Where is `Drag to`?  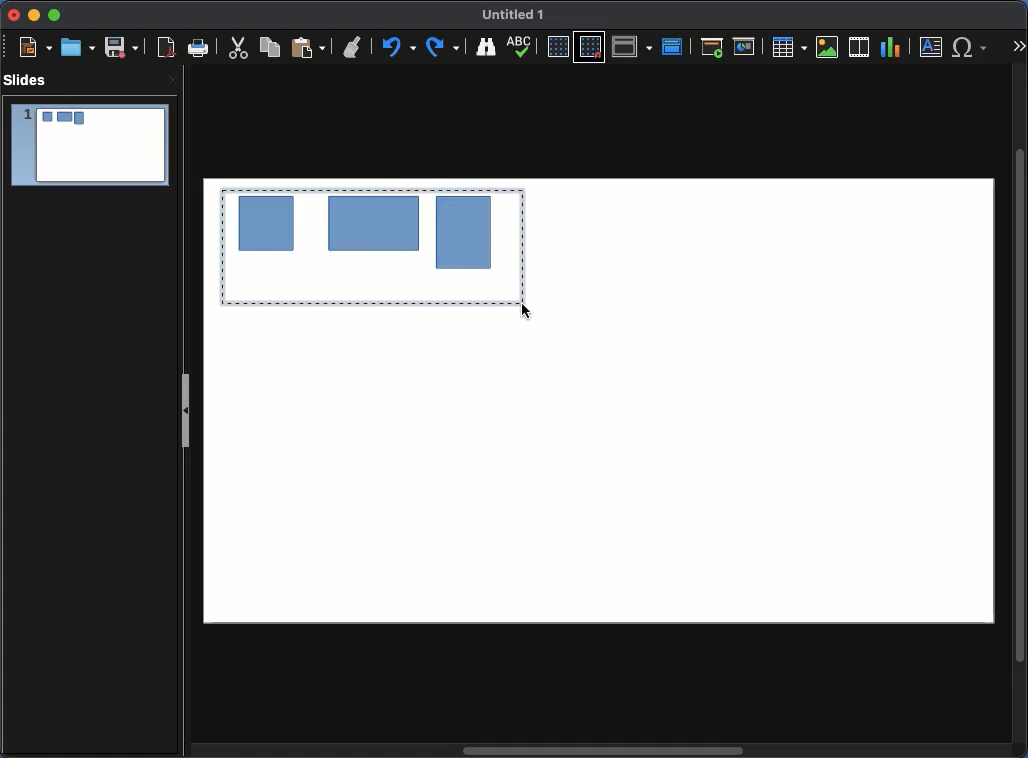
Drag to is located at coordinates (369, 244).